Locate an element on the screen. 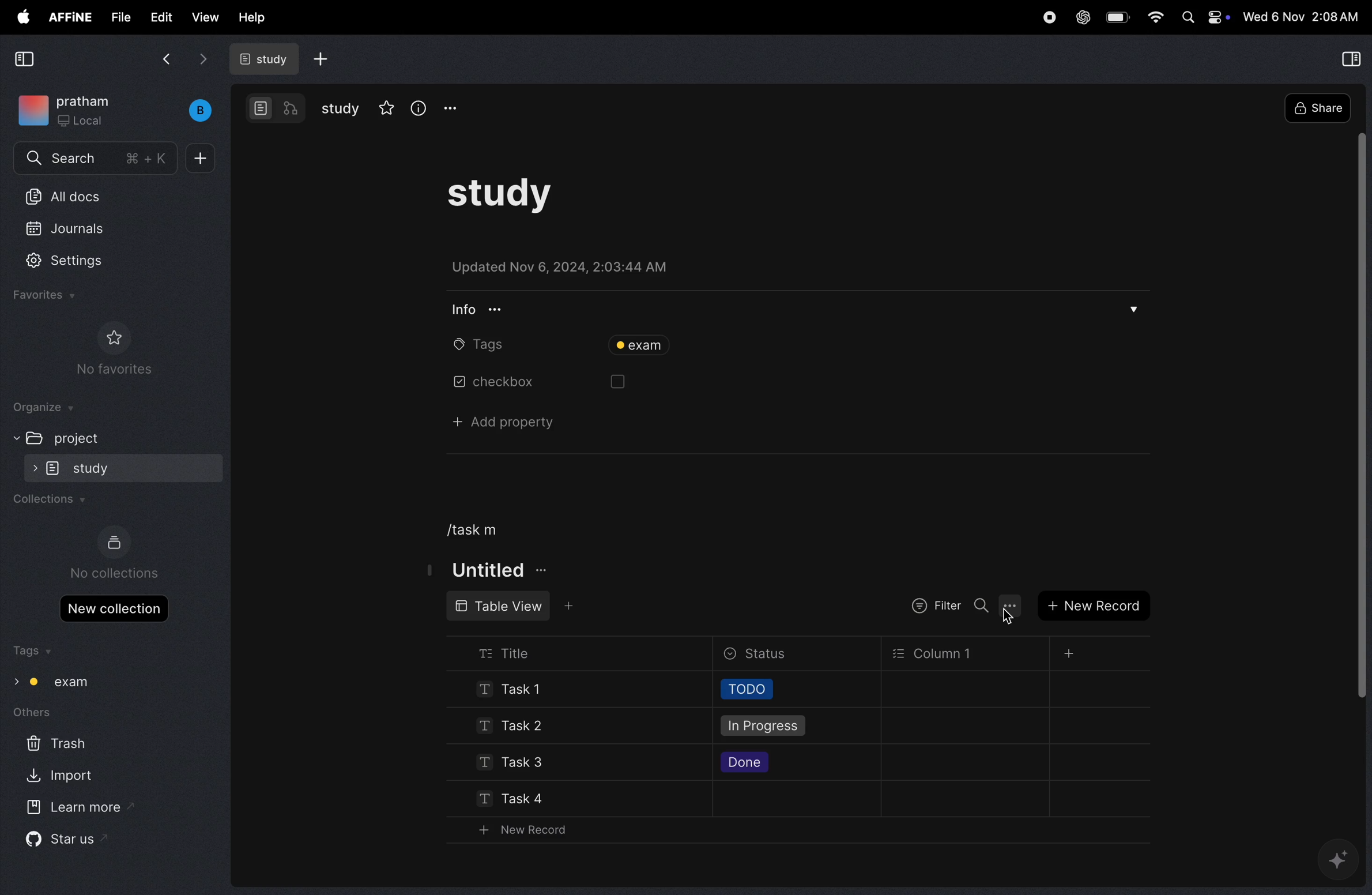 The height and width of the screenshot is (895, 1372). updated on is located at coordinates (589, 266).